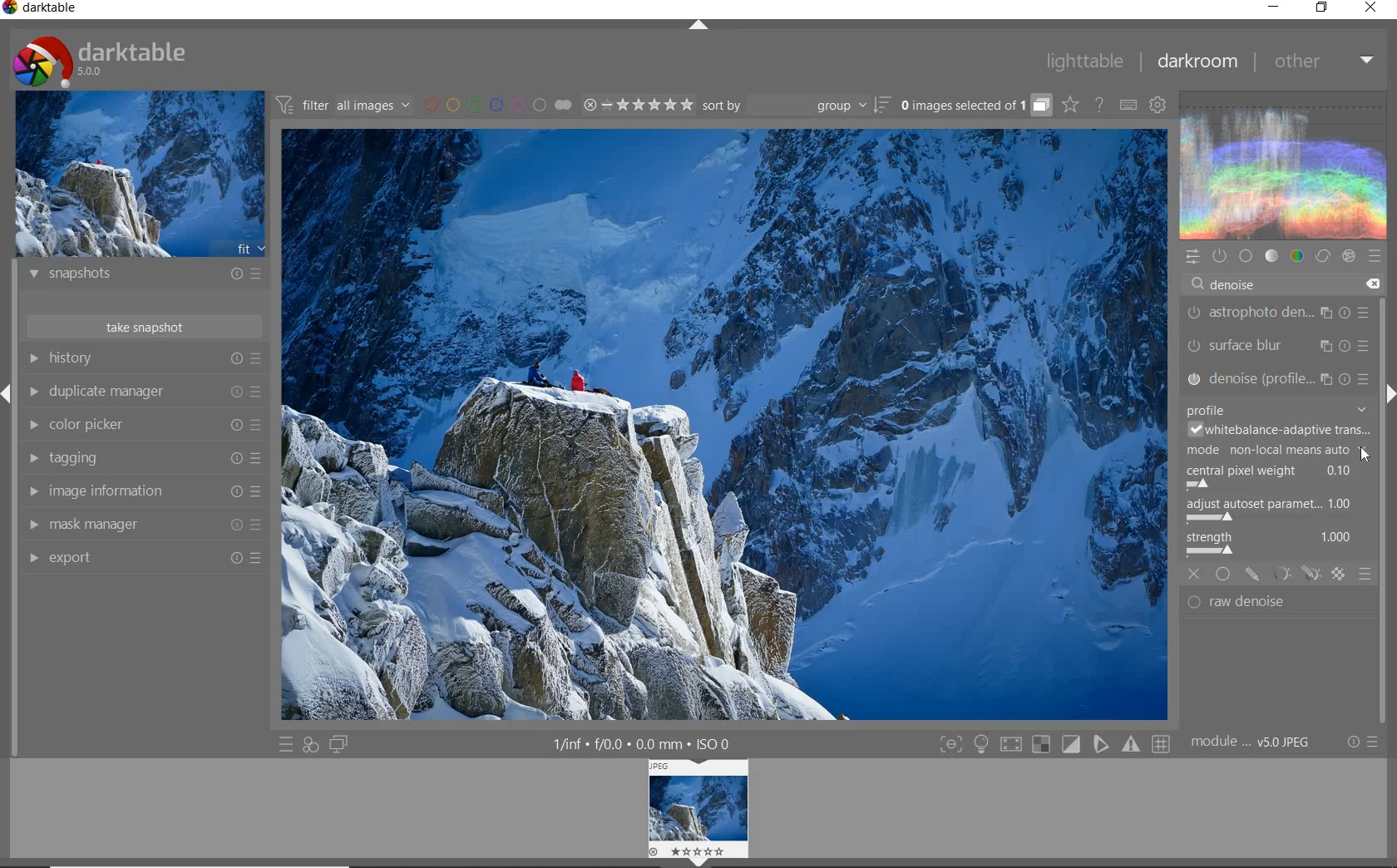  I want to click on waveform, so click(1285, 164).